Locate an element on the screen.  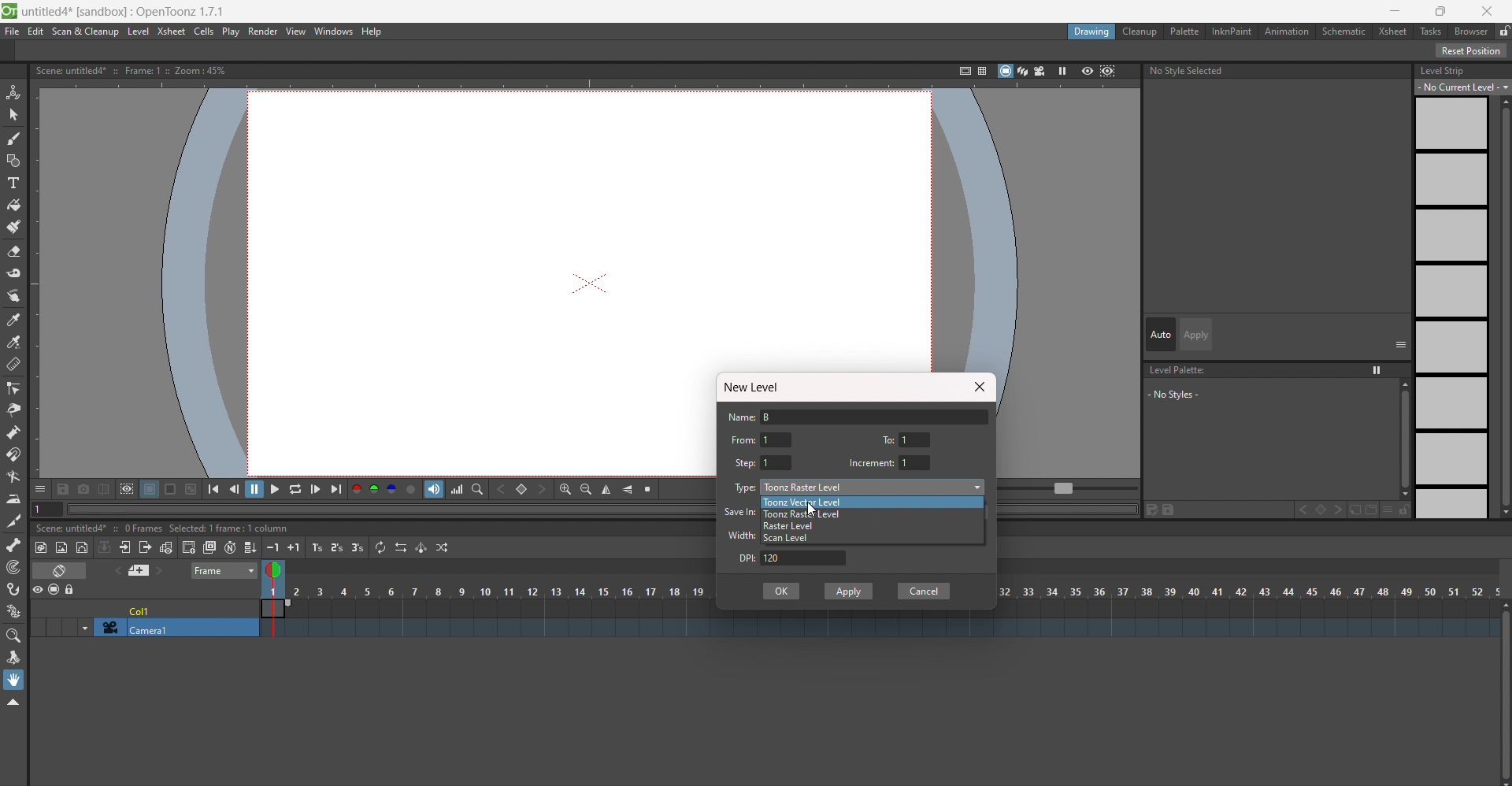
render is located at coordinates (265, 32).